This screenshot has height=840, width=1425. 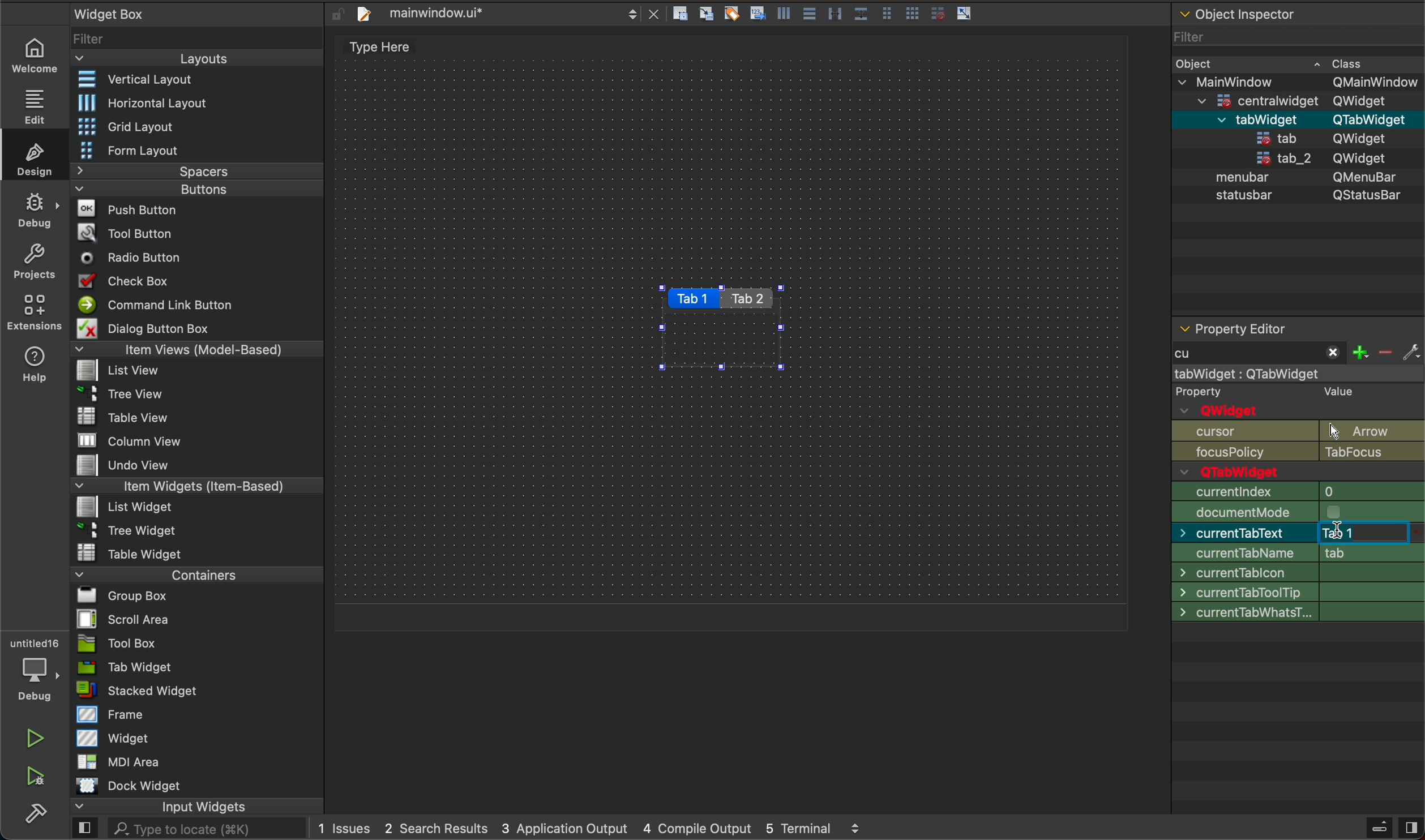 I want to click on statusbar QStatusBar, so click(x=1296, y=138).